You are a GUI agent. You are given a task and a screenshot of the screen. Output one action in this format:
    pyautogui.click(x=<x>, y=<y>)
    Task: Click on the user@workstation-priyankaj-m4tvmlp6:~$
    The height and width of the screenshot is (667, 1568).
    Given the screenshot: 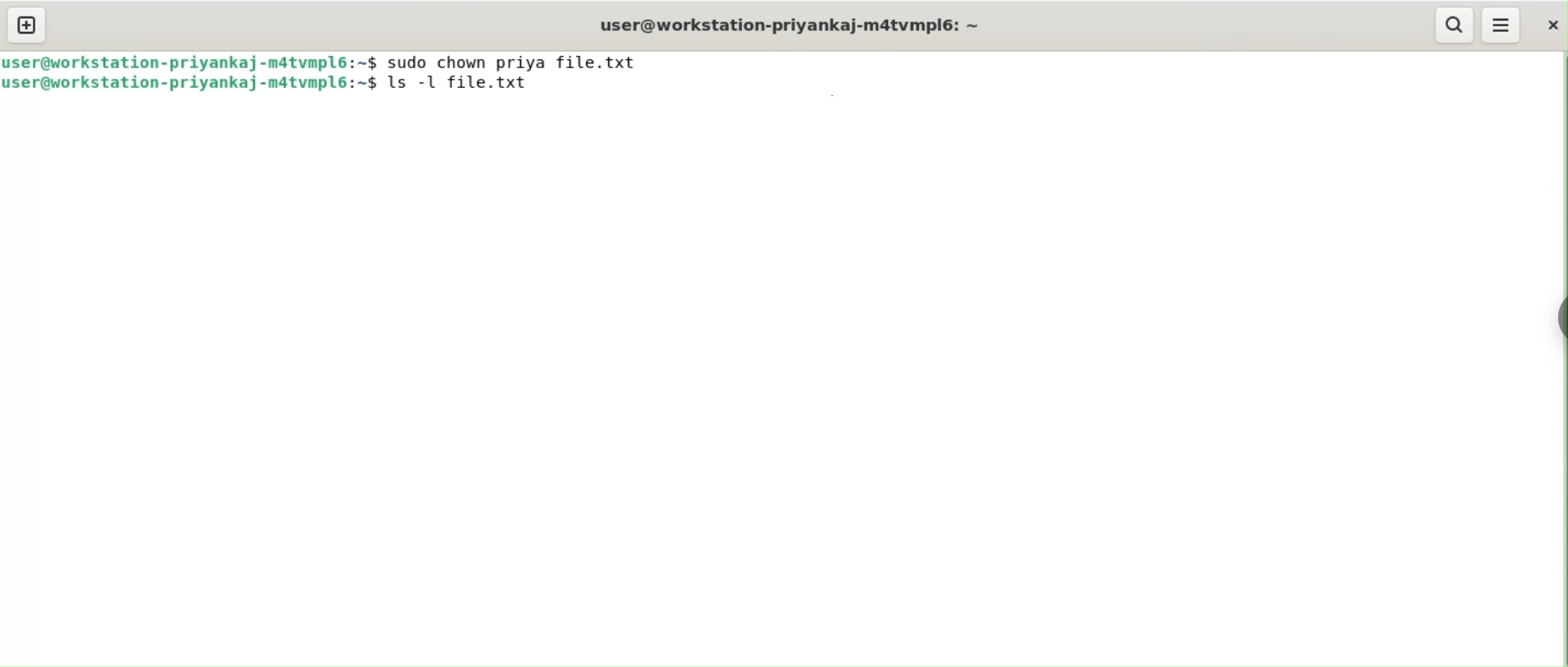 What is the action you would take?
    pyautogui.click(x=191, y=61)
    